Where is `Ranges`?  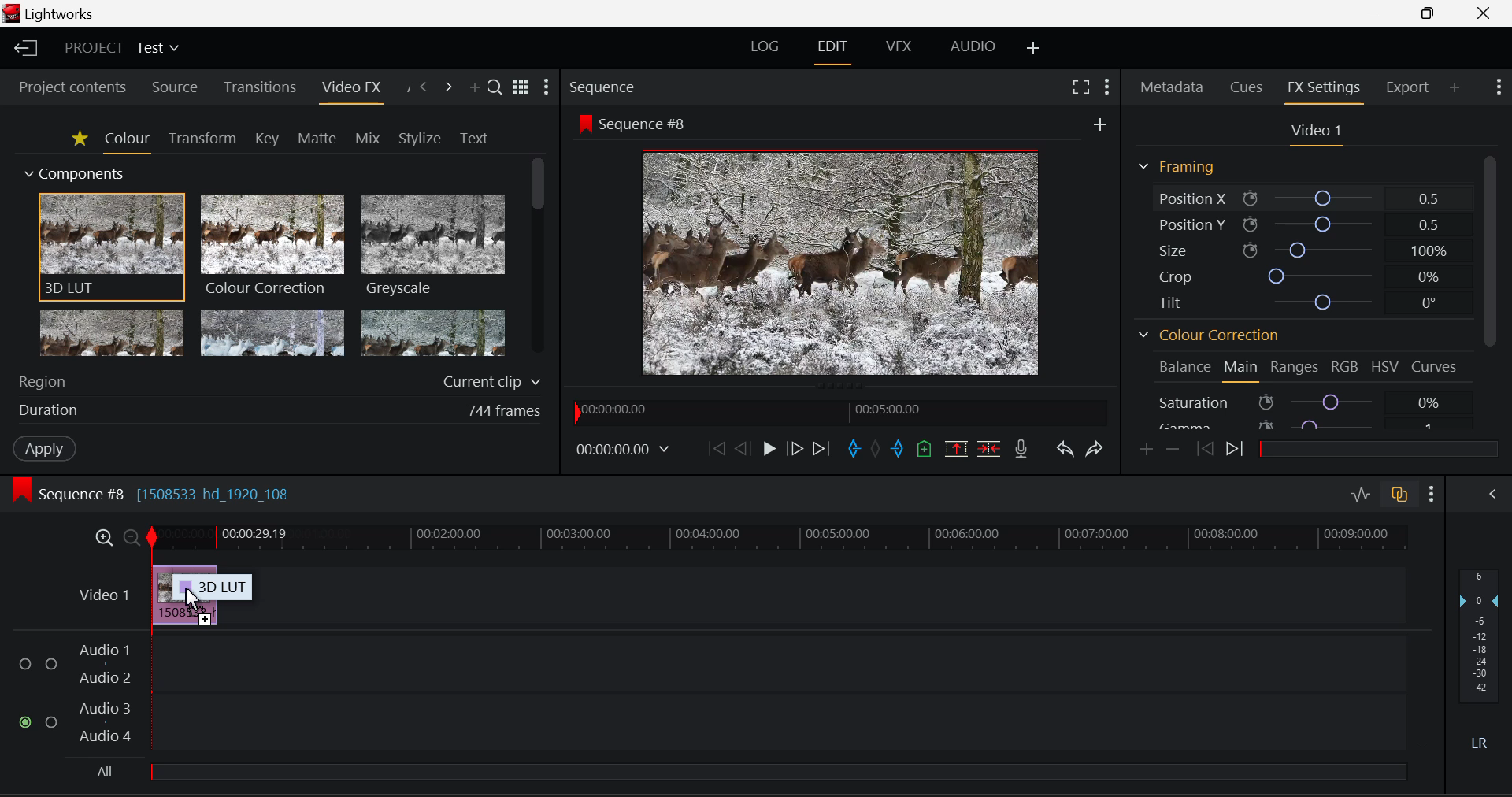 Ranges is located at coordinates (1294, 366).